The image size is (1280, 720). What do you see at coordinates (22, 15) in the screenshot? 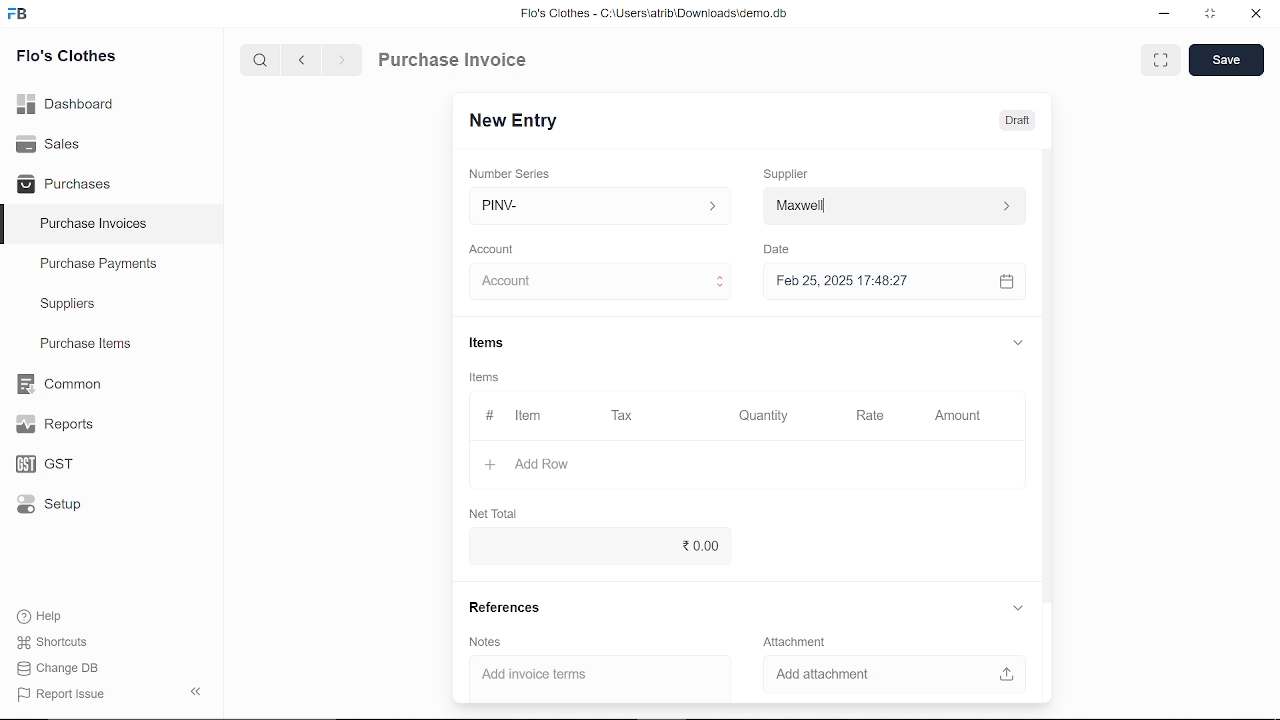
I see `frappe books logo` at bounding box center [22, 15].